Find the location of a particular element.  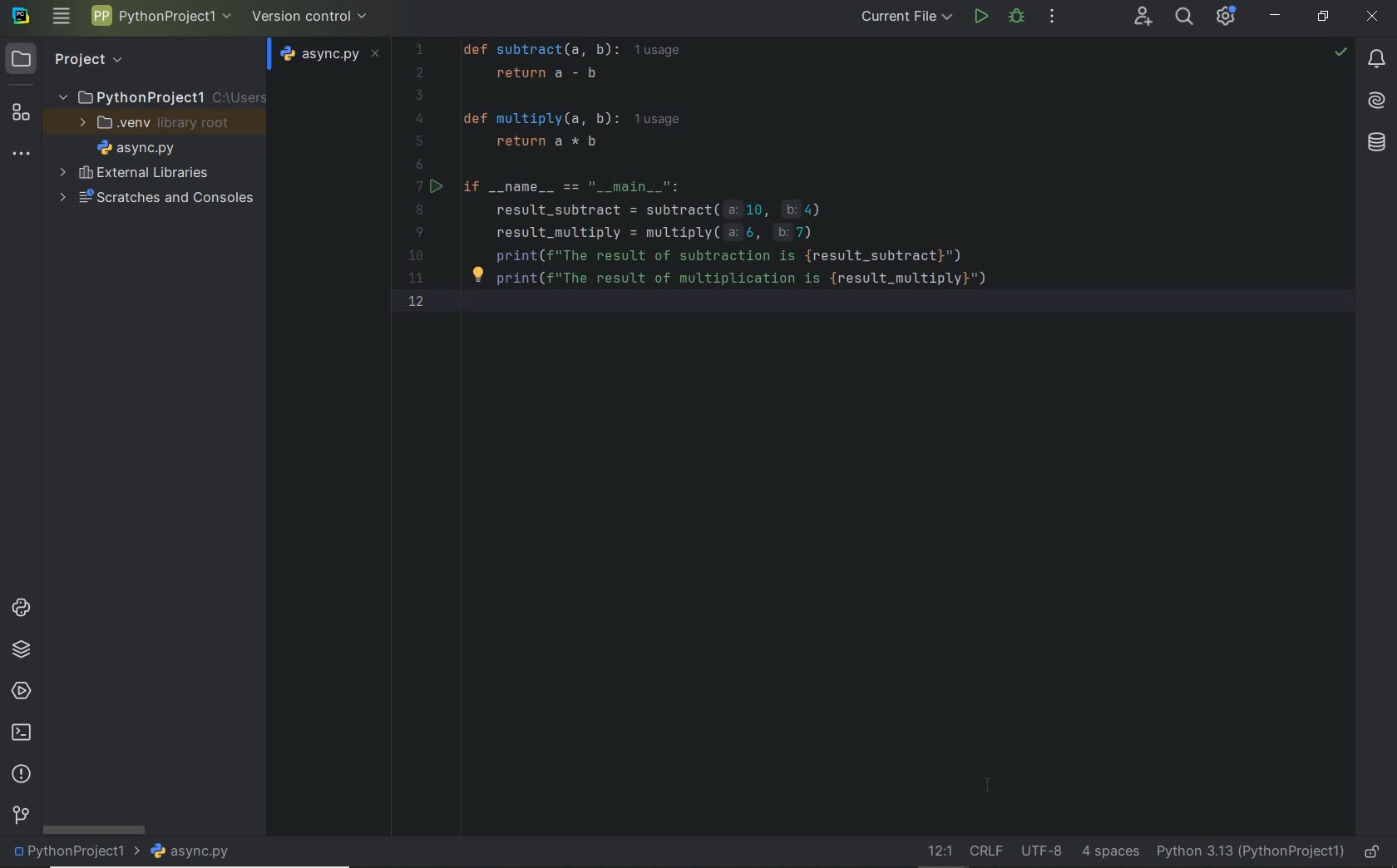

main menu is located at coordinates (61, 17).